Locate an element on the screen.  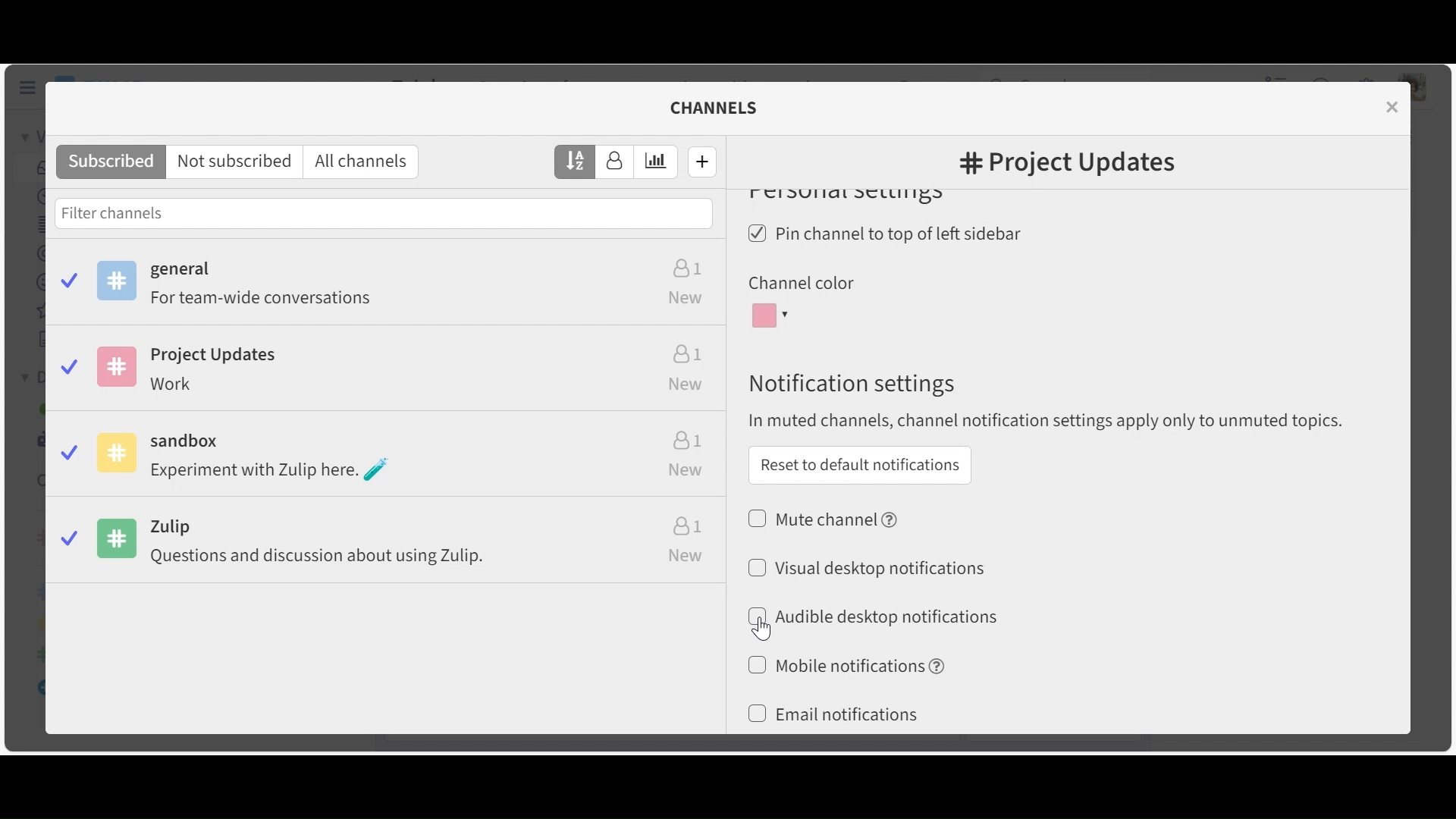
Create new channel is located at coordinates (703, 161).